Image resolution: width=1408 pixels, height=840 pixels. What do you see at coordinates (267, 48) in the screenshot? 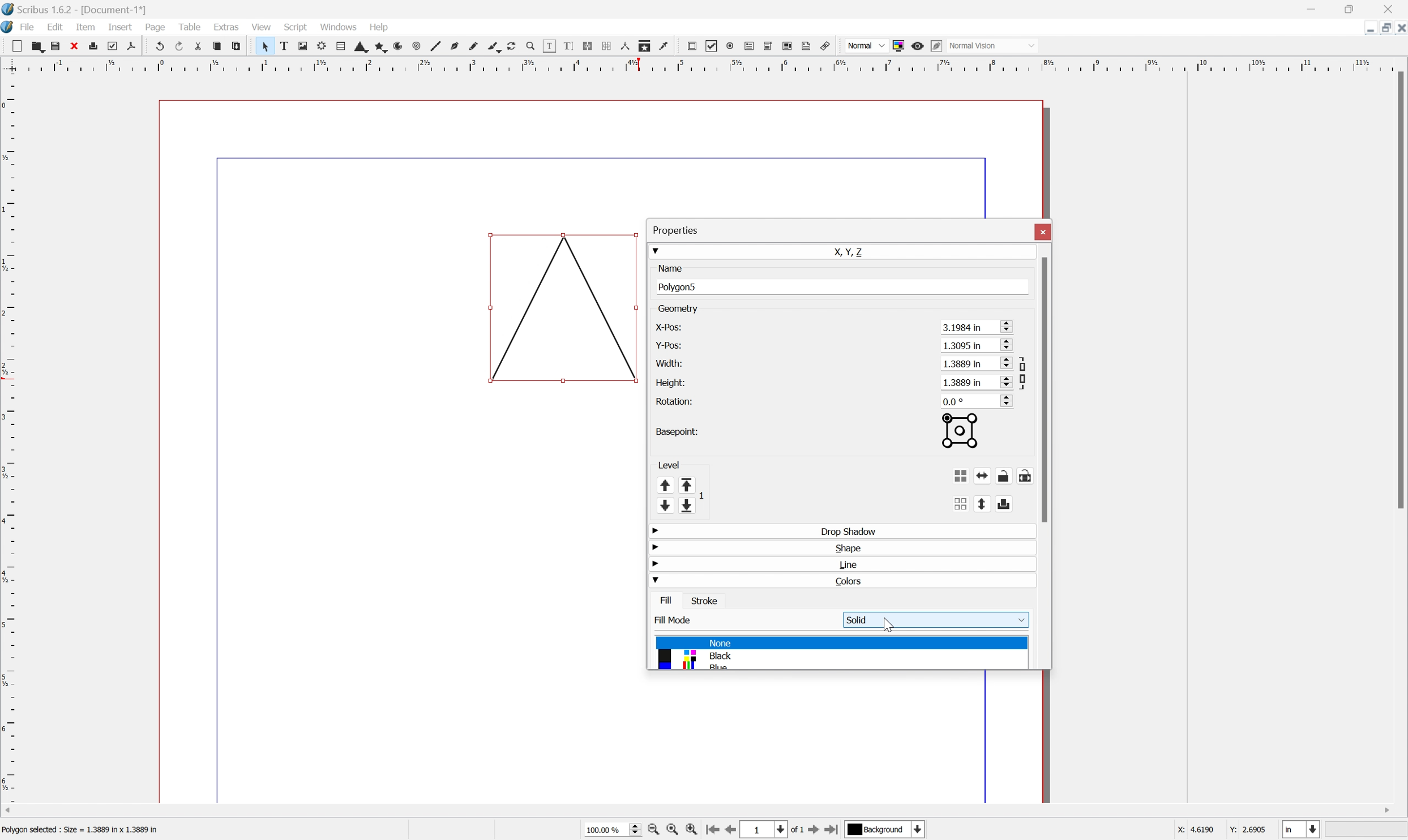
I see `Select frame` at bounding box center [267, 48].